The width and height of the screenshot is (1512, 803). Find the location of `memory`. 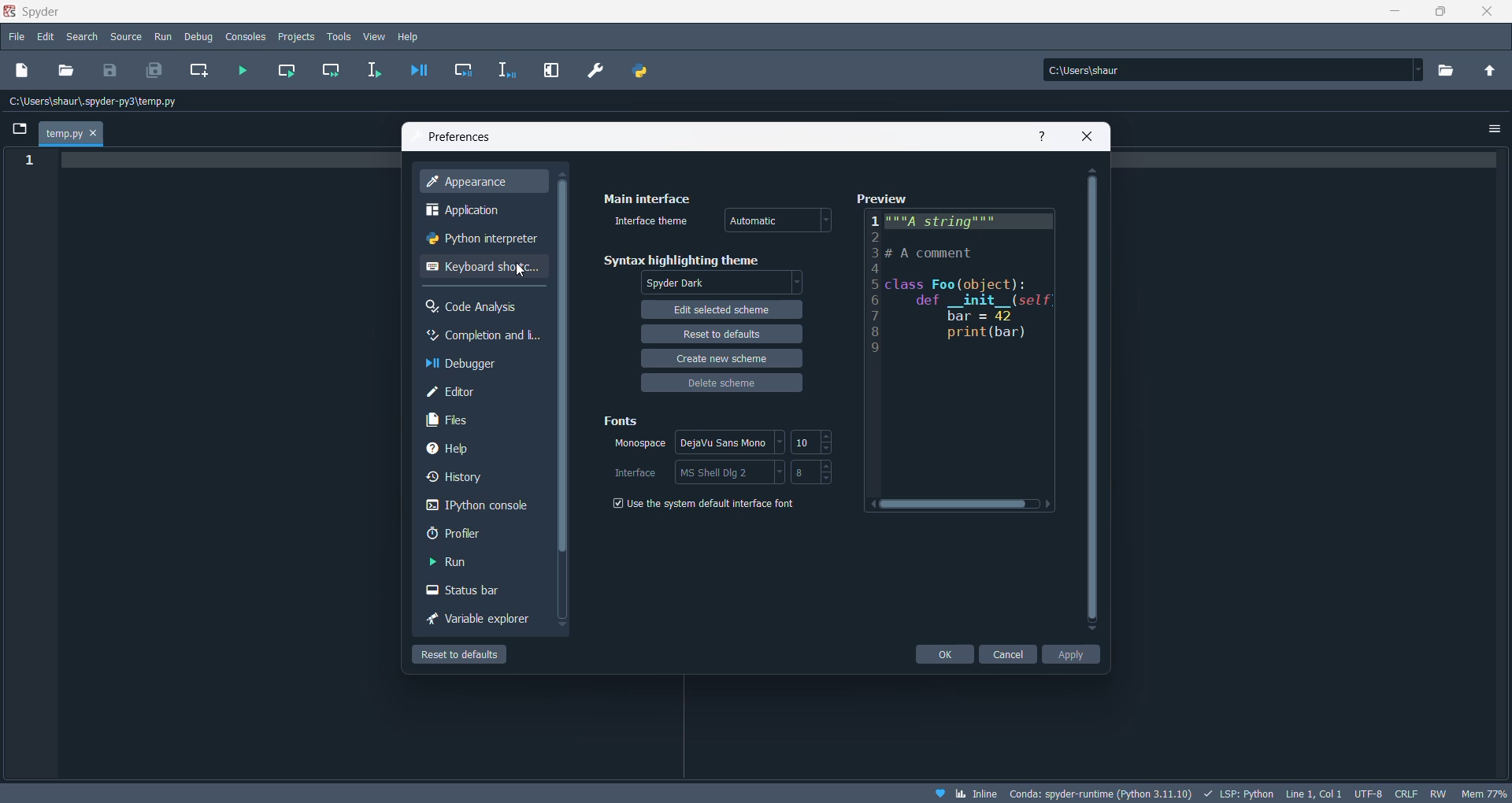

memory is located at coordinates (1483, 792).